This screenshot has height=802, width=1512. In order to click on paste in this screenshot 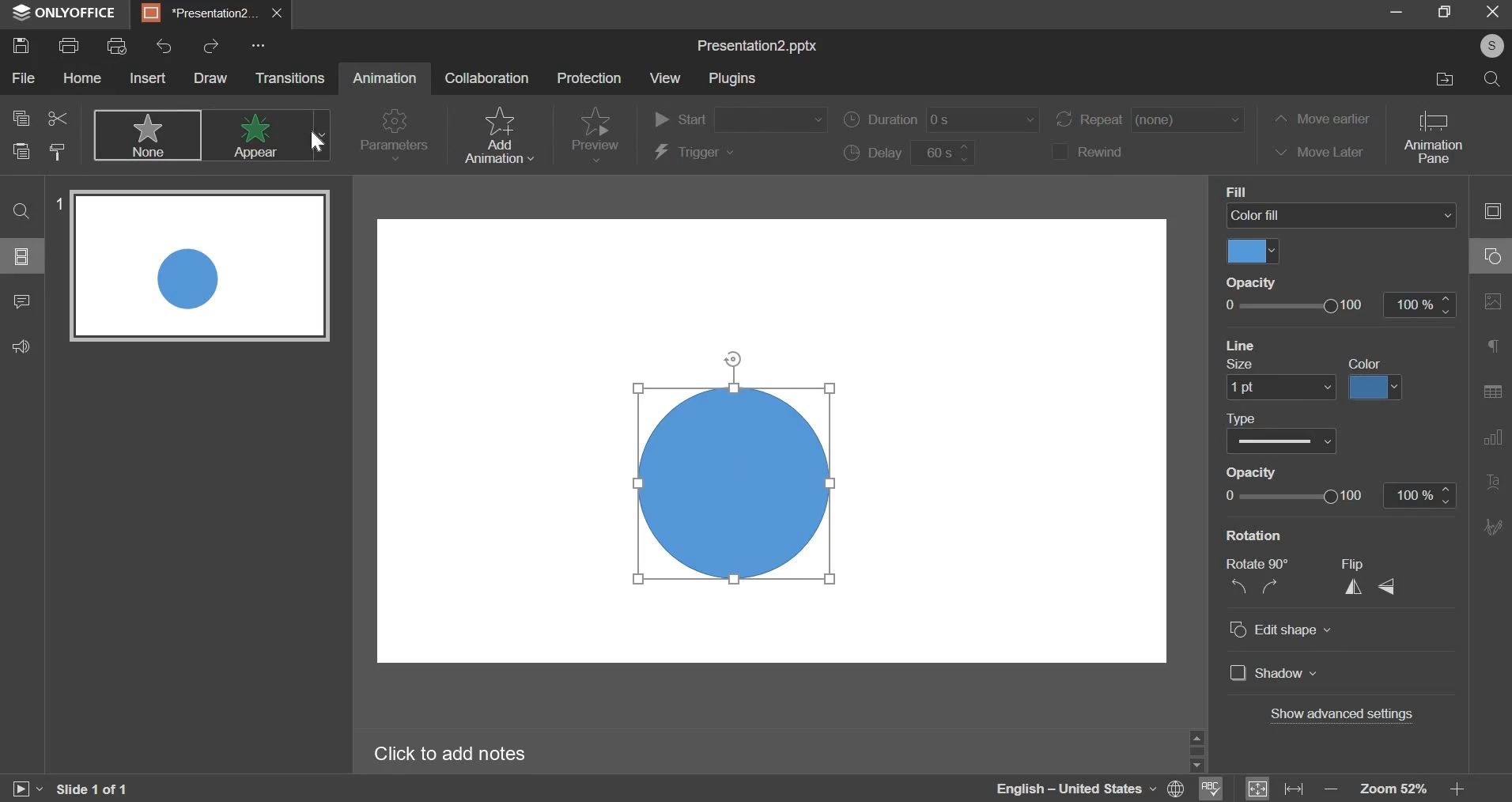, I will do `click(21, 149)`.